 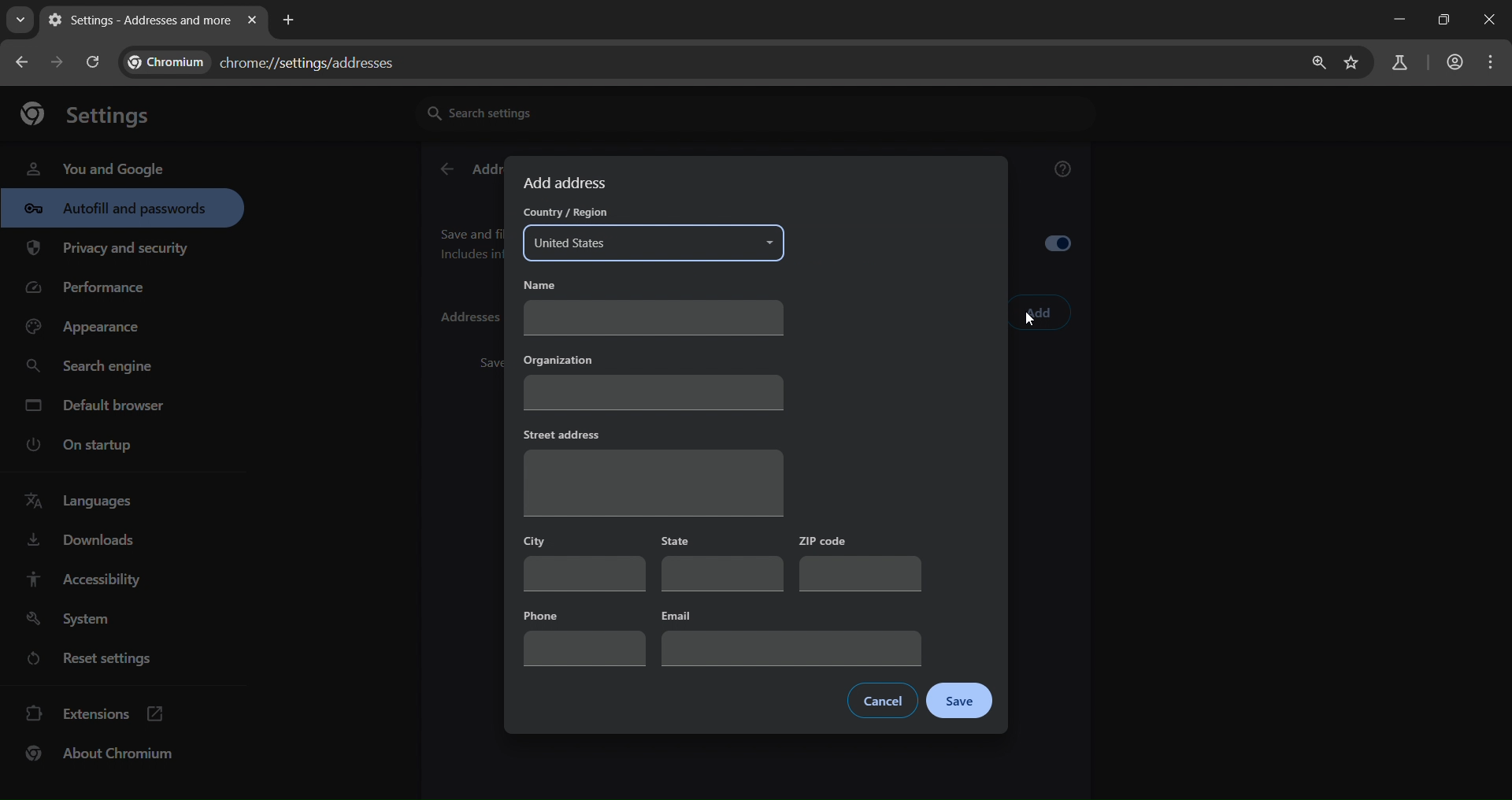 What do you see at coordinates (961, 701) in the screenshot?
I see `save` at bounding box center [961, 701].